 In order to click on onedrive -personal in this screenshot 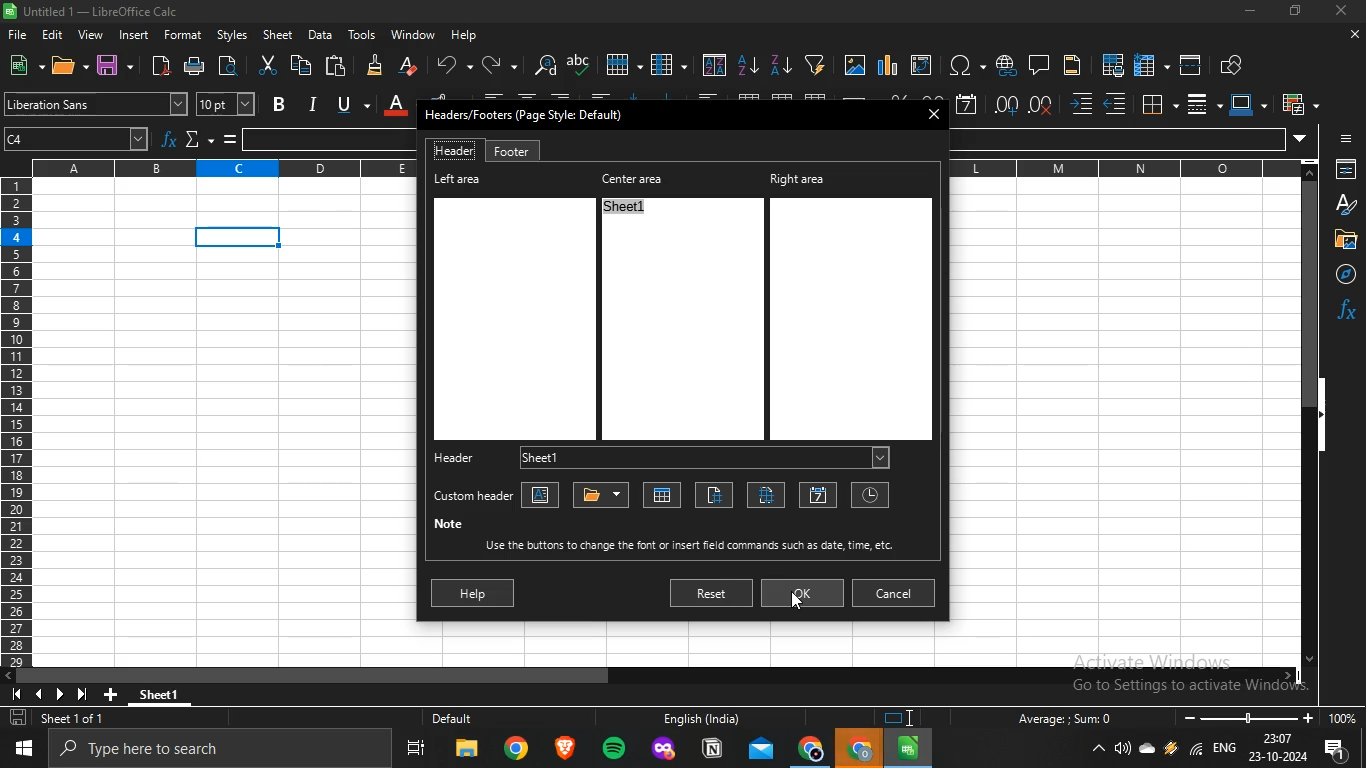, I will do `click(1147, 753)`.